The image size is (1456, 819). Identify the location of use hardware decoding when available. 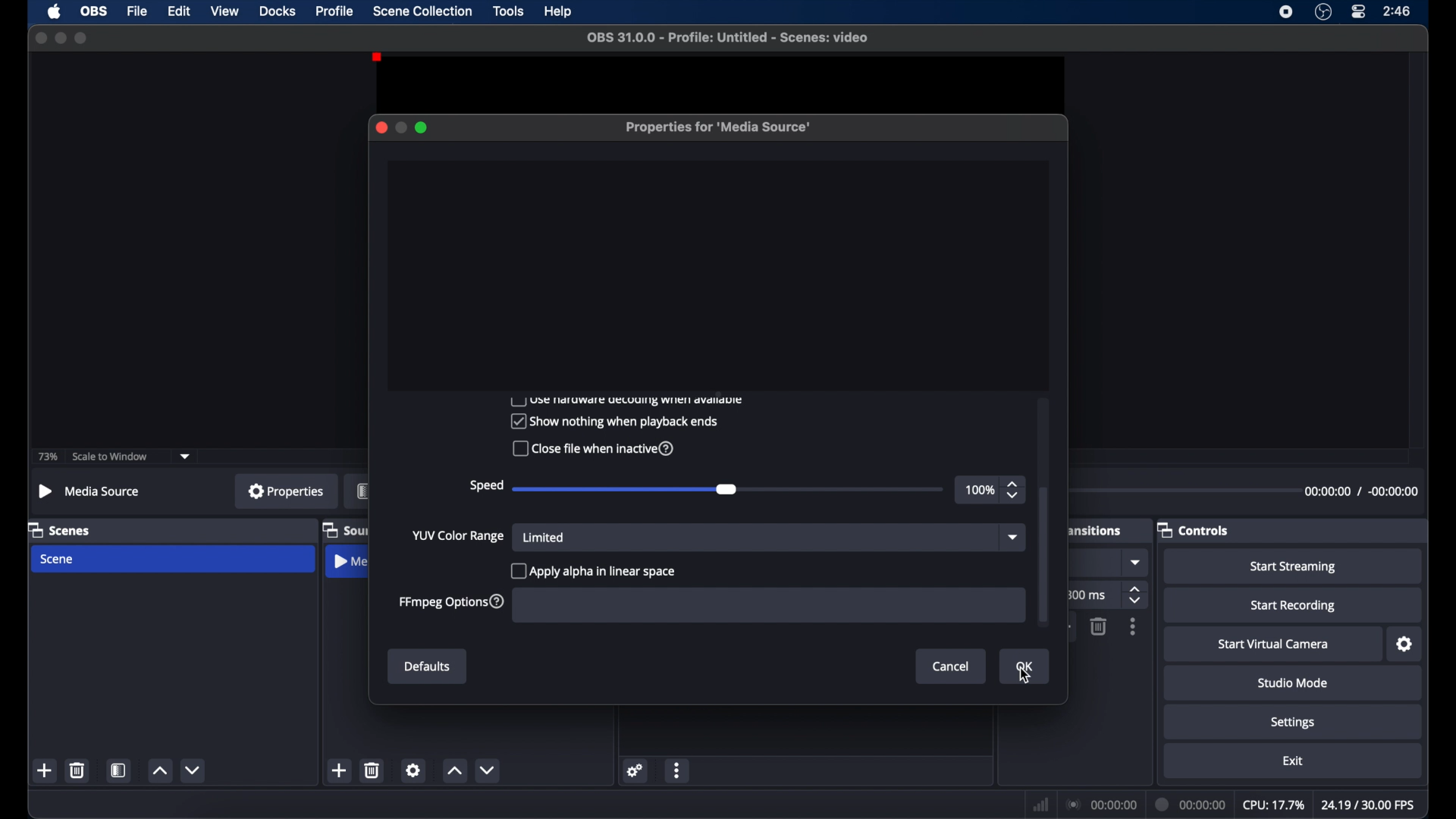
(627, 400).